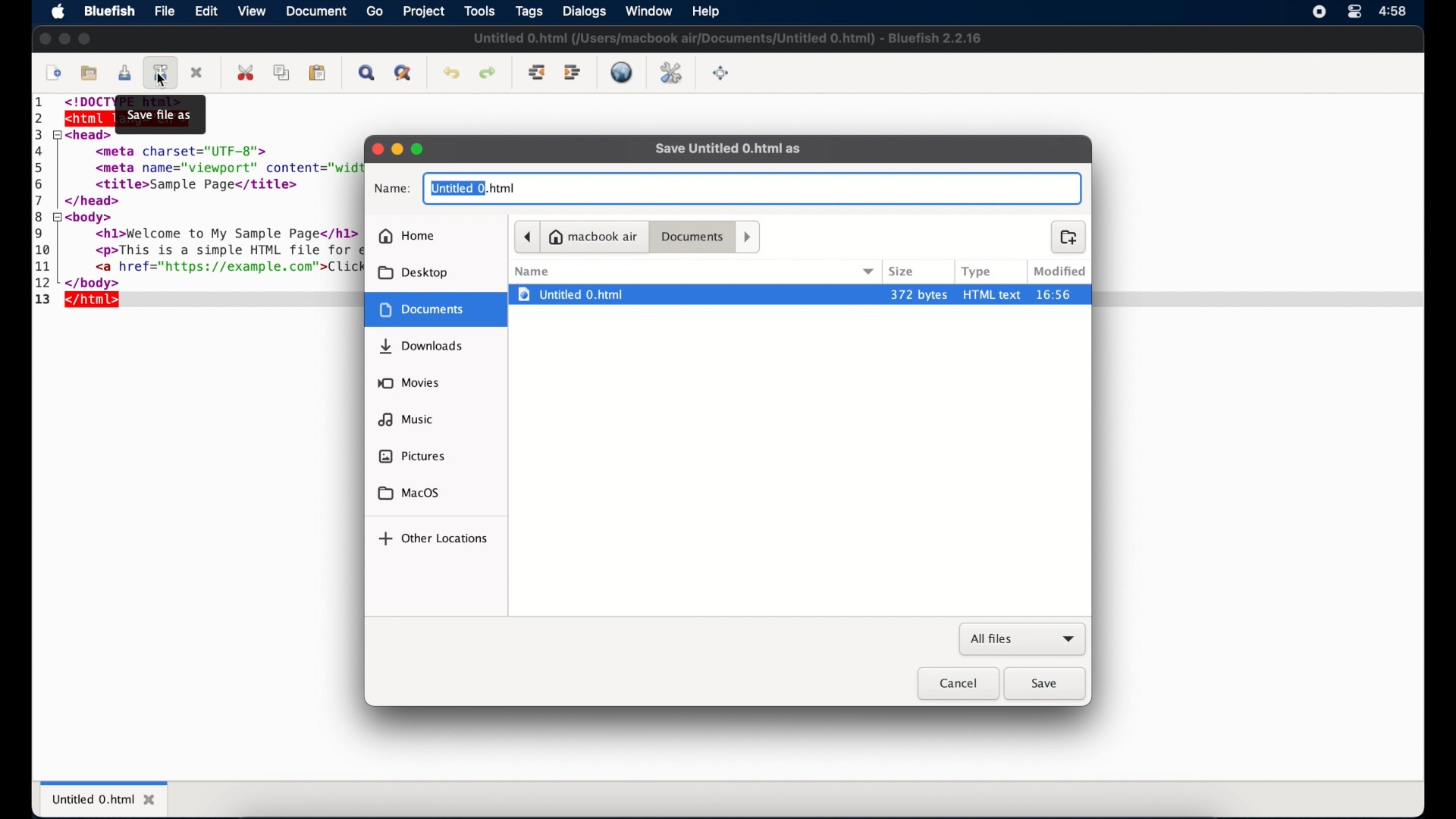 The width and height of the screenshot is (1456, 819). I want to click on next folder, so click(748, 237).